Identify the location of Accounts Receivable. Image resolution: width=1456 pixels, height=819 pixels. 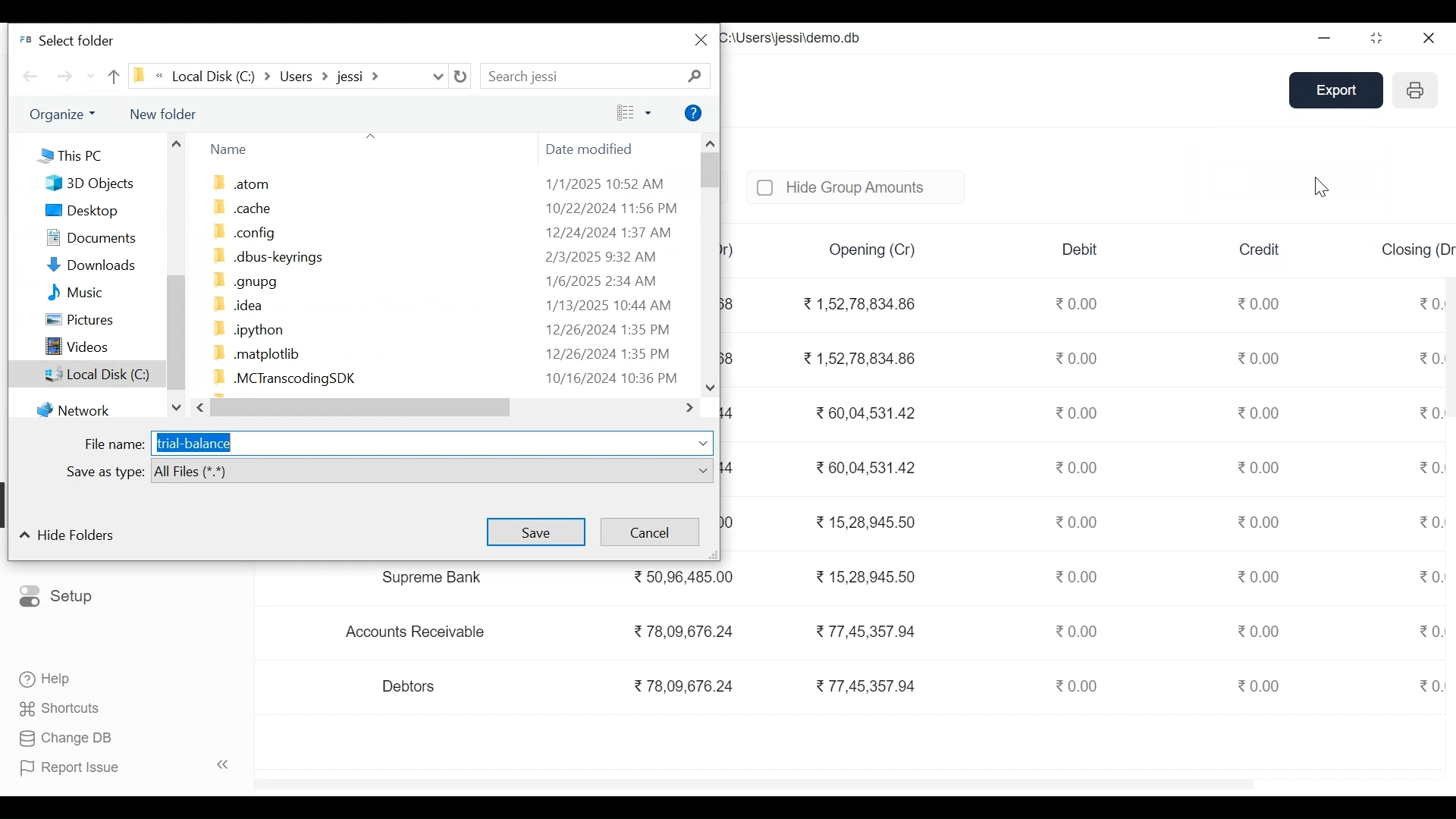
(419, 632).